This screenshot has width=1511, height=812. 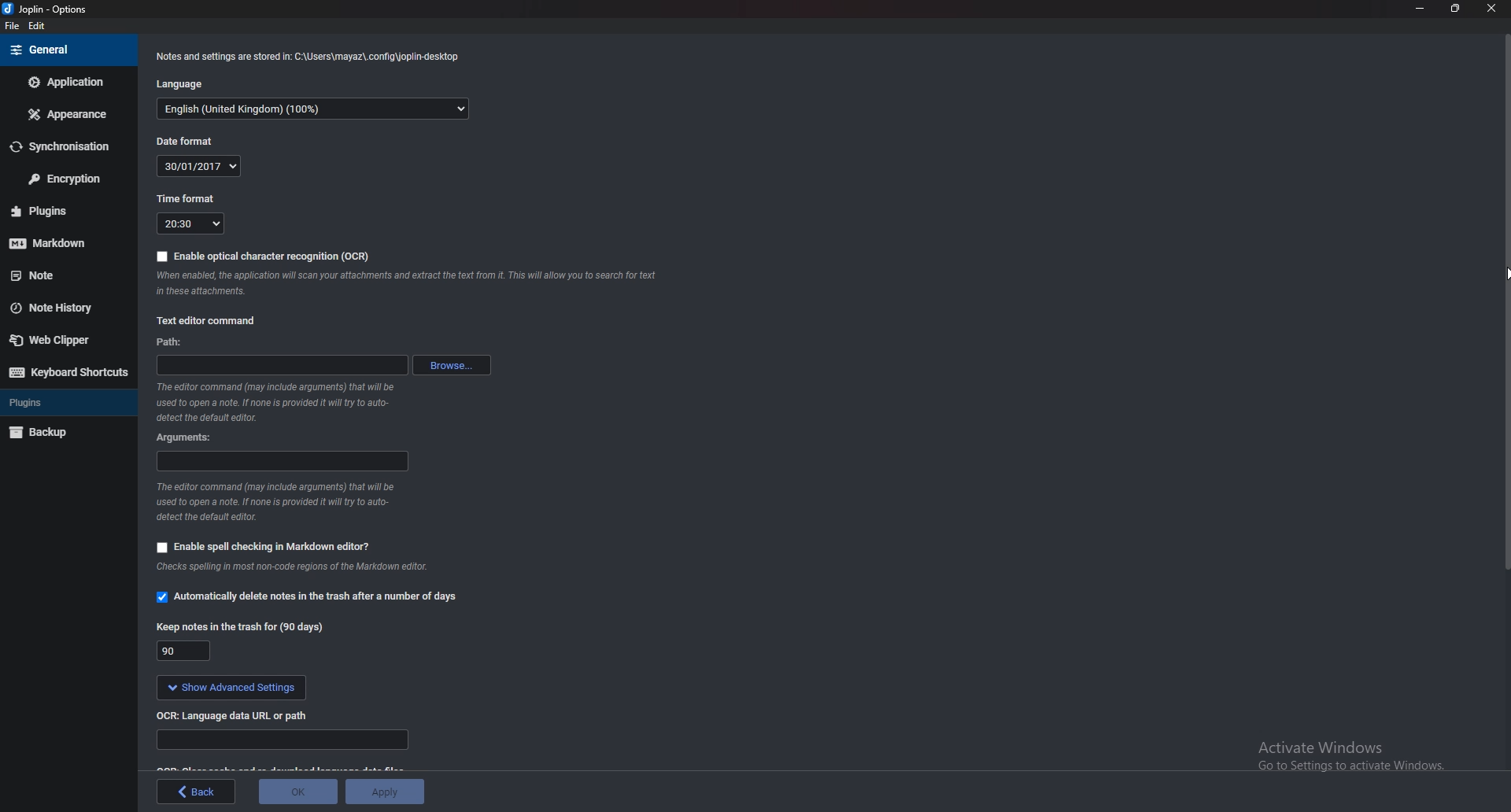 What do you see at coordinates (276, 503) in the screenshot?
I see `Info` at bounding box center [276, 503].